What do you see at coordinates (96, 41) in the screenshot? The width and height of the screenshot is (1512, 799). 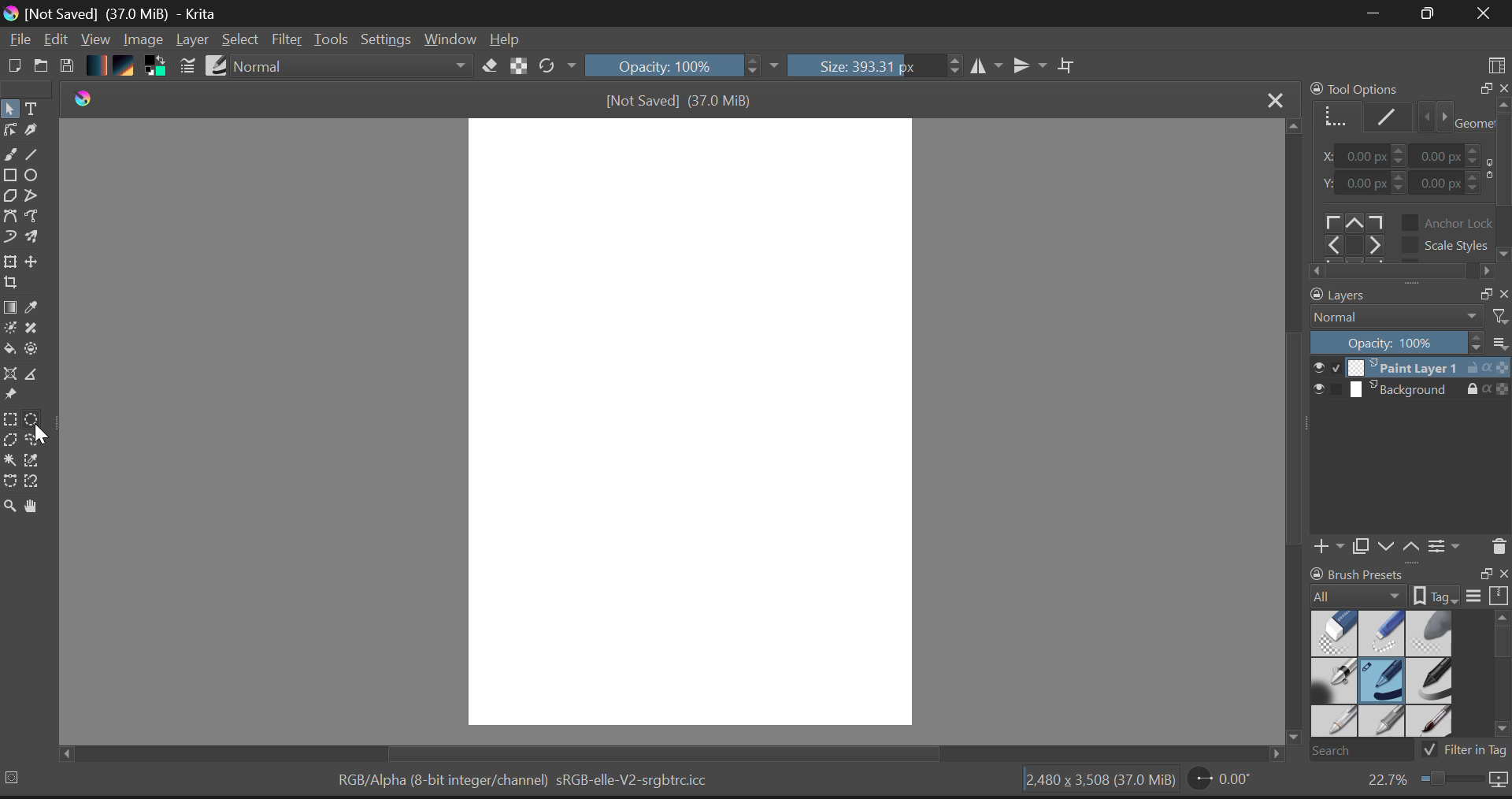 I see `View` at bounding box center [96, 41].